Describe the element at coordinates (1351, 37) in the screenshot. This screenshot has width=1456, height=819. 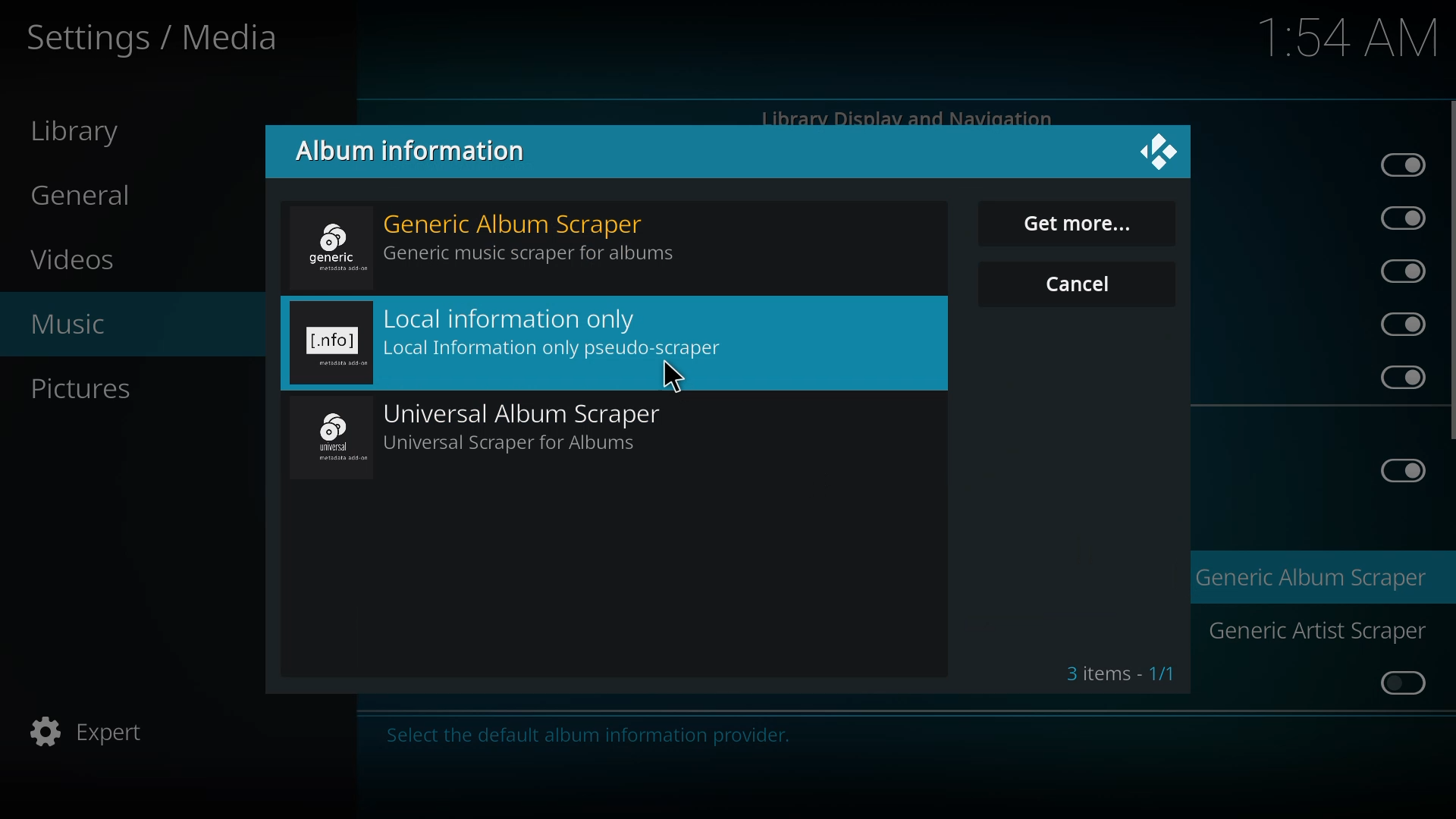
I see `time` at that location.